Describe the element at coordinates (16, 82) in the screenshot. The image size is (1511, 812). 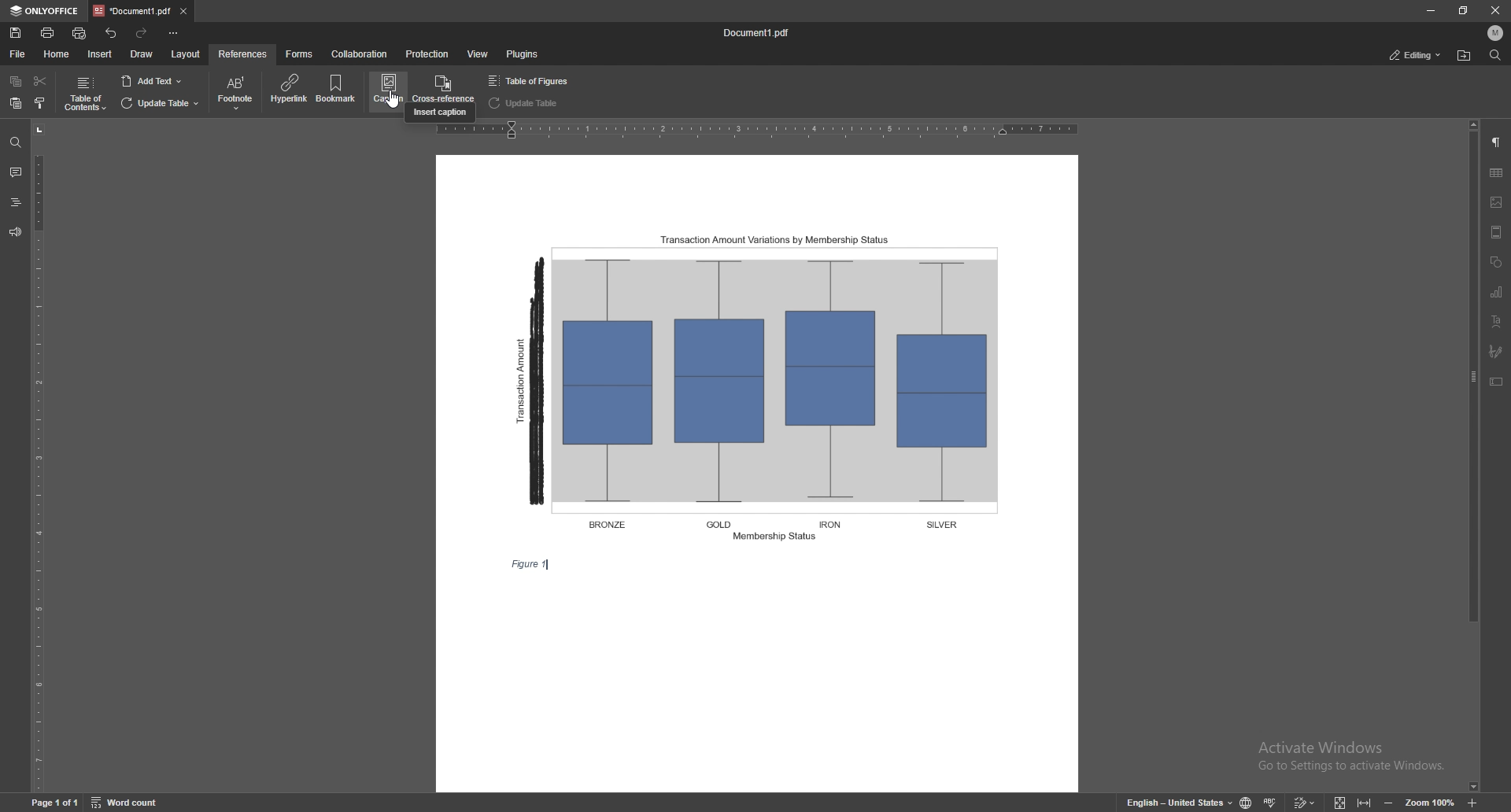
I see `copy` at that location.